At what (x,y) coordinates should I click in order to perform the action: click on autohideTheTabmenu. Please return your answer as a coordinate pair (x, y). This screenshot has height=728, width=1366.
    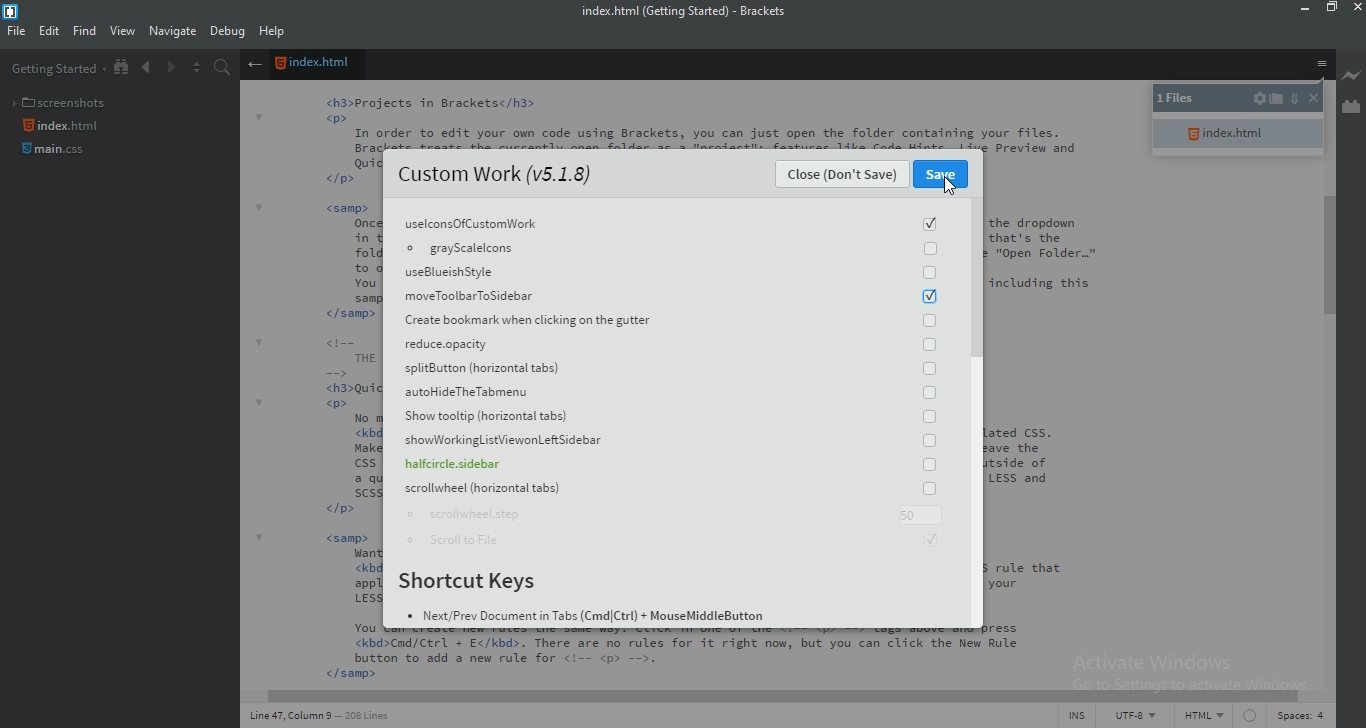
    Looking at the image, I should click on (670, 394).